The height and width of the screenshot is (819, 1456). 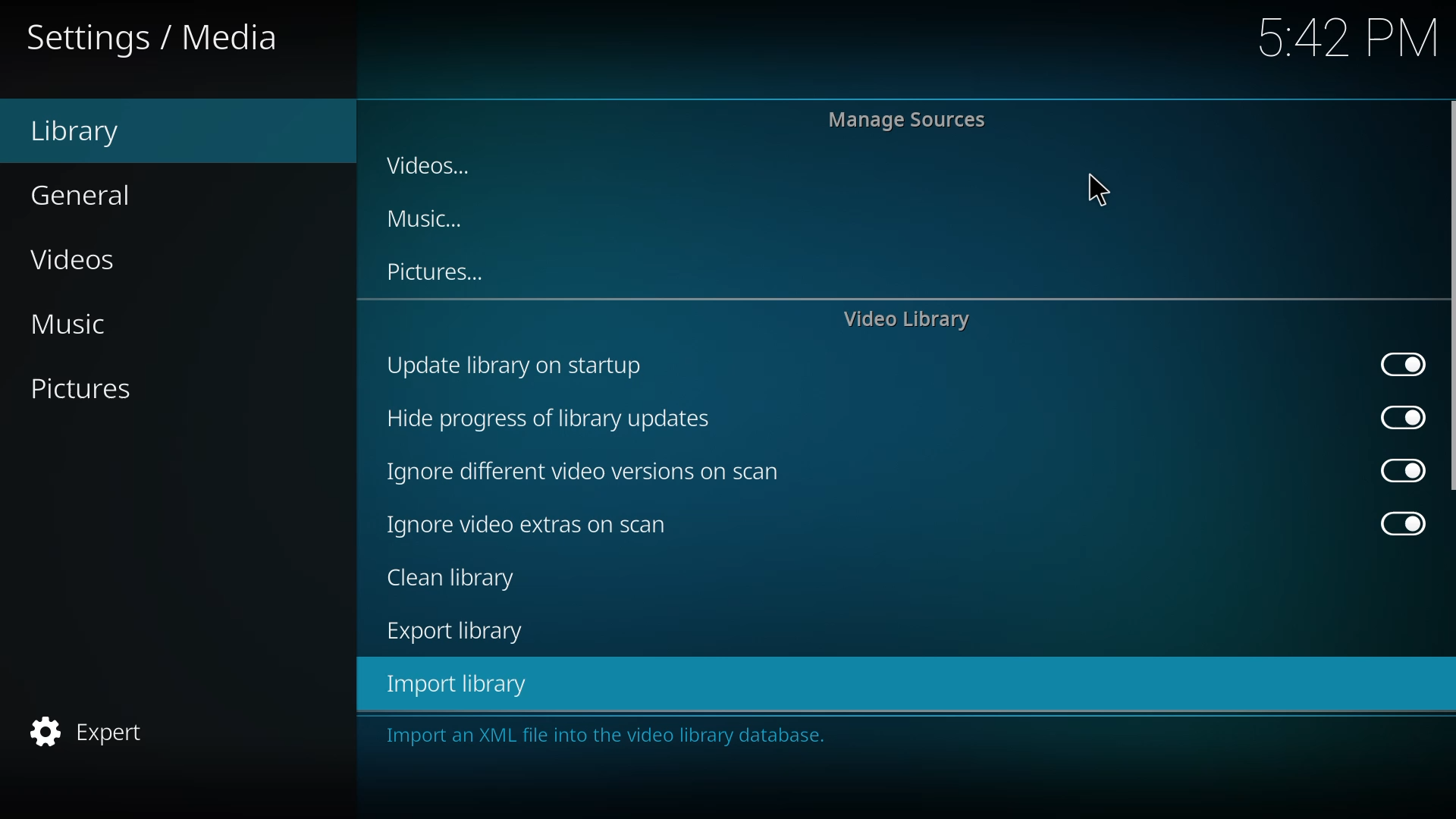 What do you see at coordinates (419, 219) in the screenshot?
I see `music` at bounding box center [419, 219].